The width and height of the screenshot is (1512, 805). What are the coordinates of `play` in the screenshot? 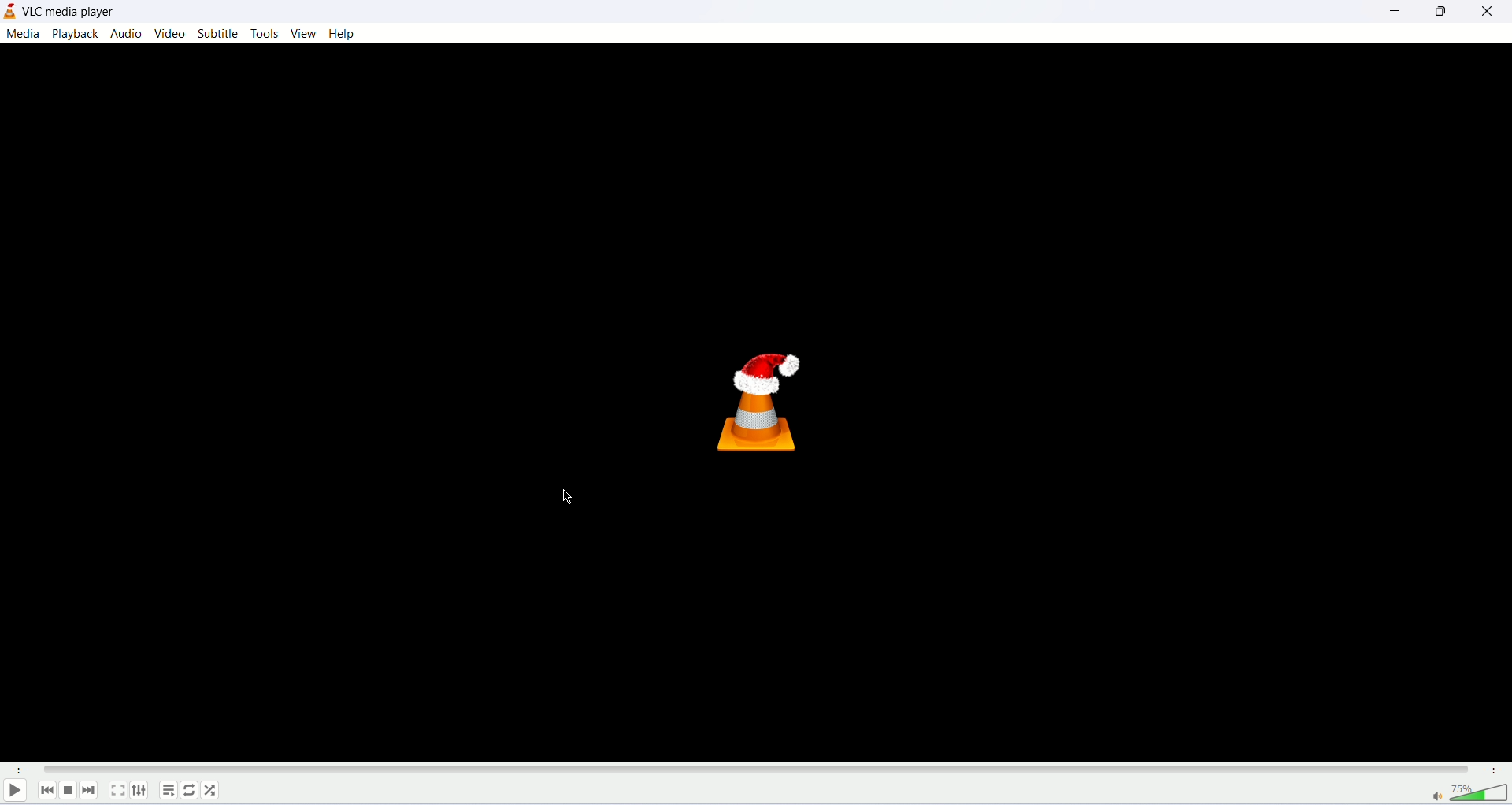 It's located at (14, 792).